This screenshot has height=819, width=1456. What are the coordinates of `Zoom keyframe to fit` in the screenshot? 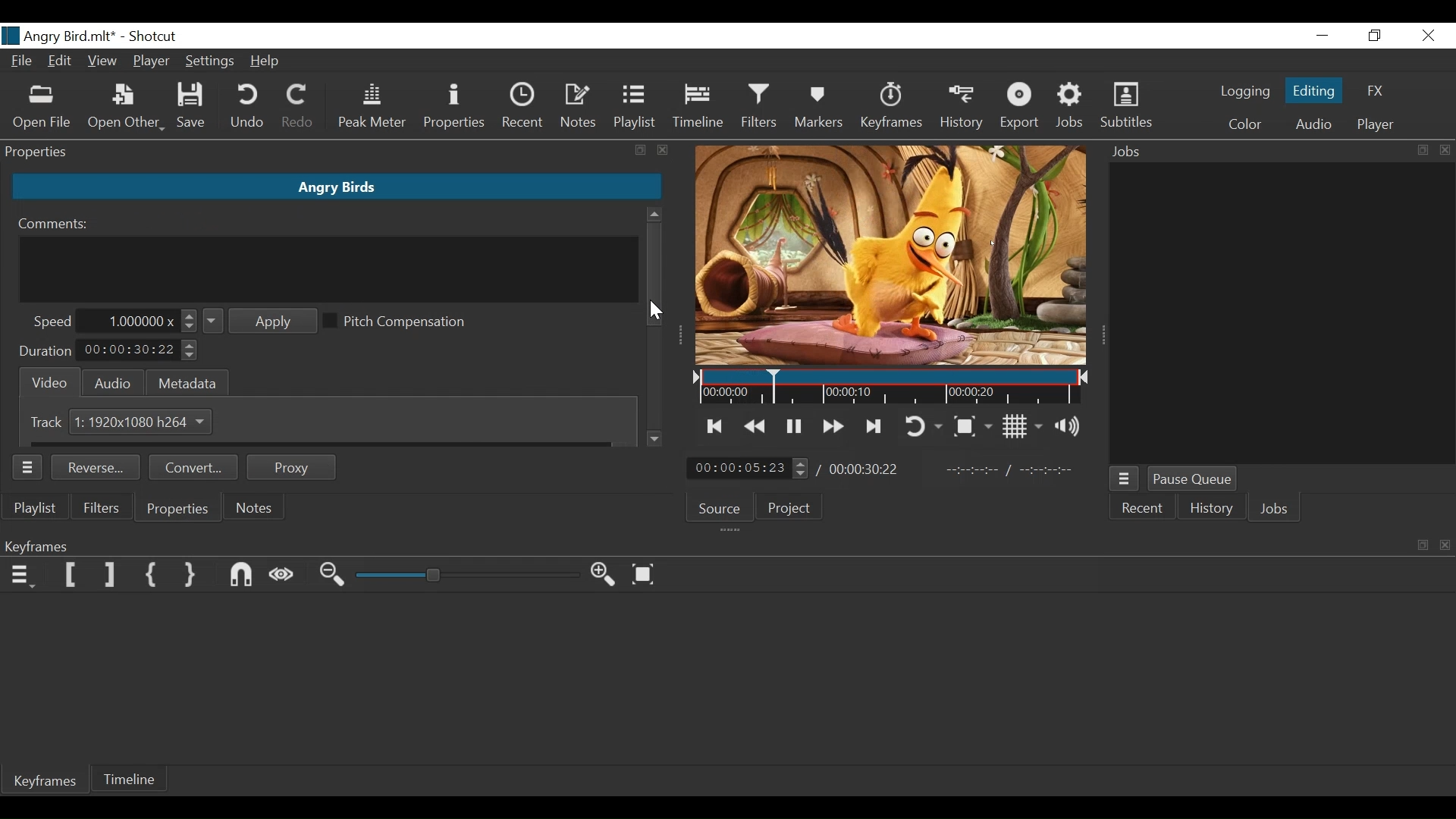 It's located at (645, 574).